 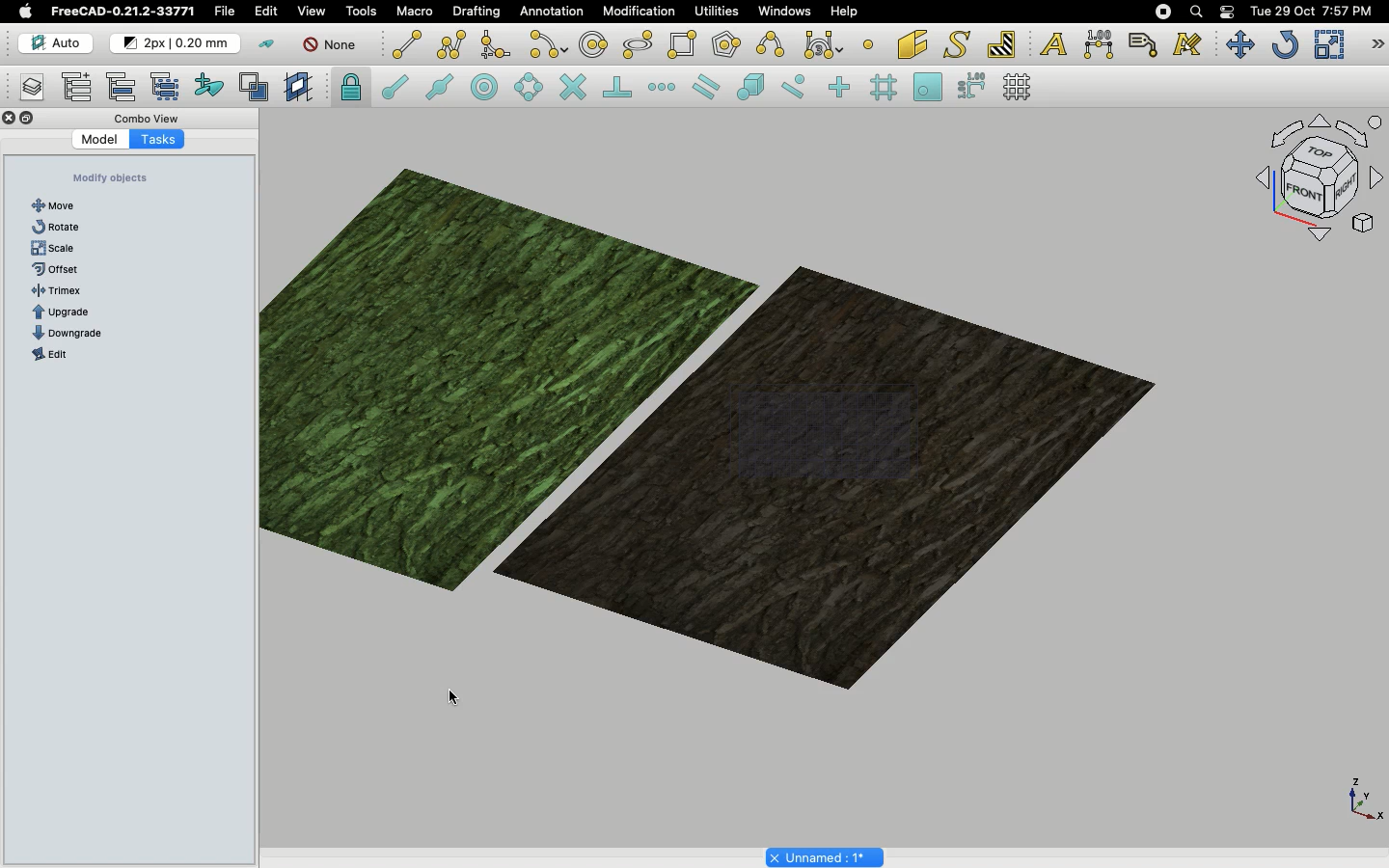 What do you see at coordinates (210, 84) in the screenshot?
I see `Add to construction group` at bounding box center [210, 84].